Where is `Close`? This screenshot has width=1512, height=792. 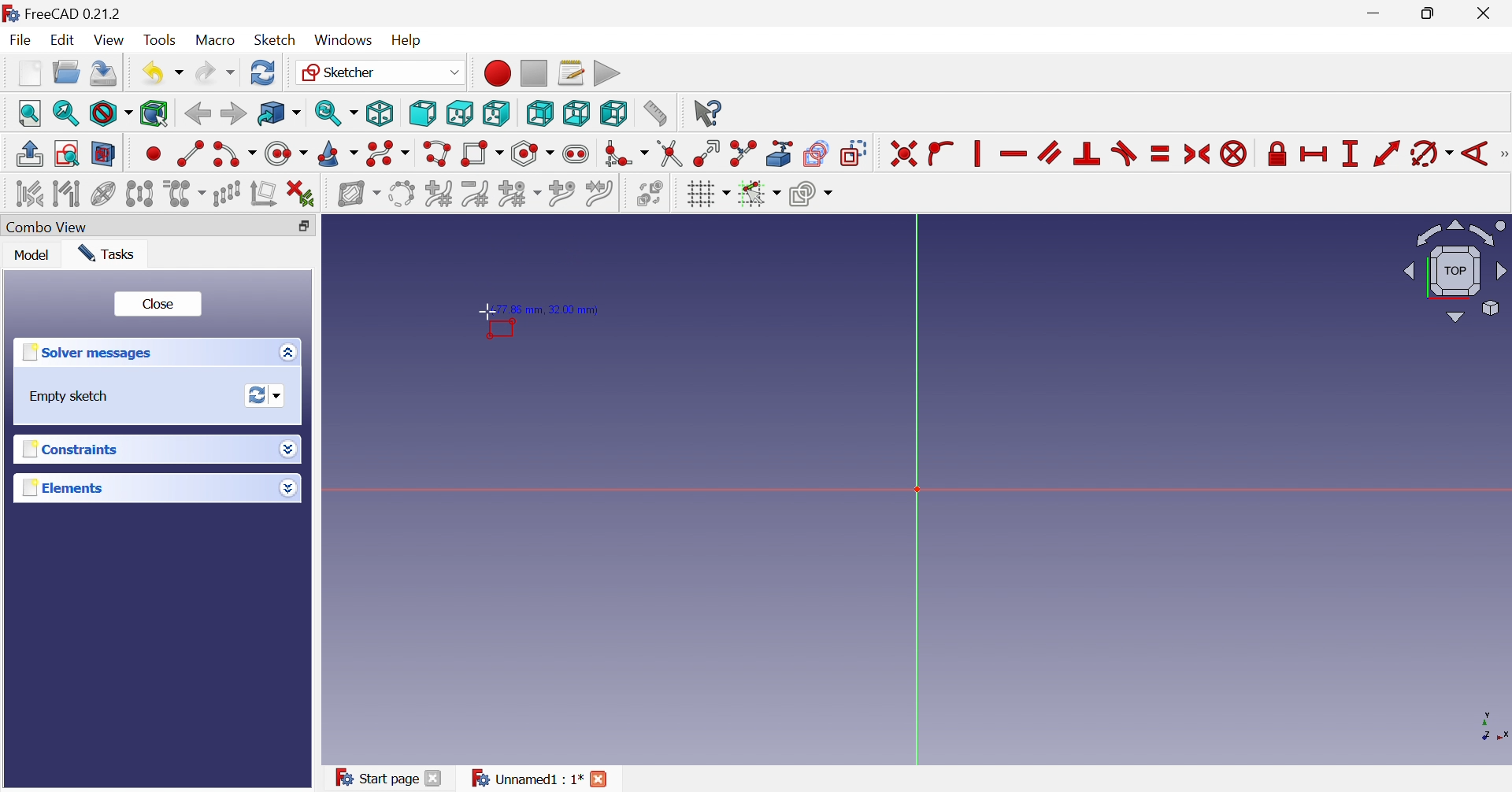
Close is located at coordinates (1487, 14).